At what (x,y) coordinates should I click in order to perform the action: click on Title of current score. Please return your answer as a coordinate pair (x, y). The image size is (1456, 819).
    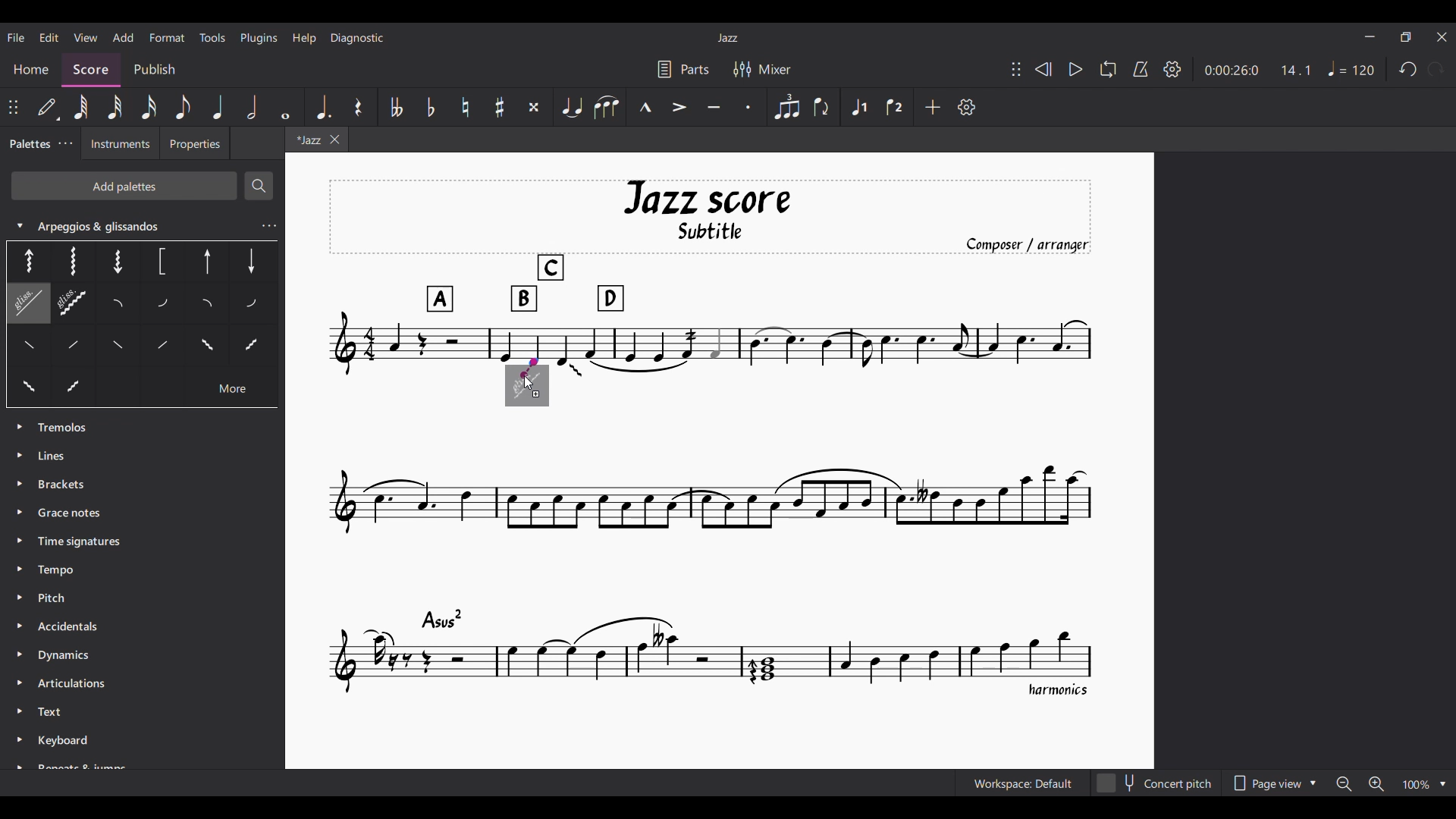
    Looking at the image, I should click on (726, 38).